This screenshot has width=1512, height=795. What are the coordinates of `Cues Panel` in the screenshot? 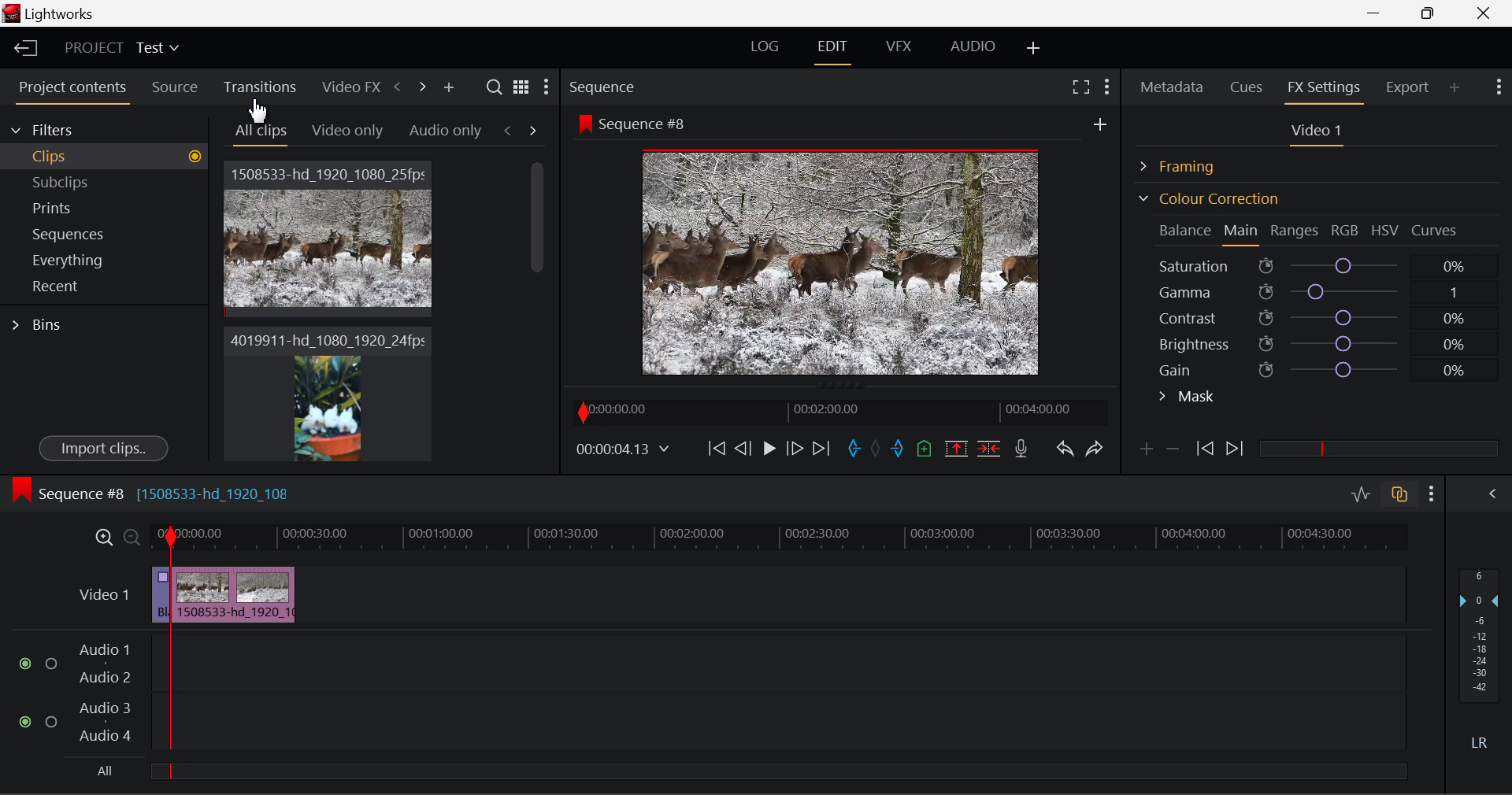 It's located at (1248, 85).